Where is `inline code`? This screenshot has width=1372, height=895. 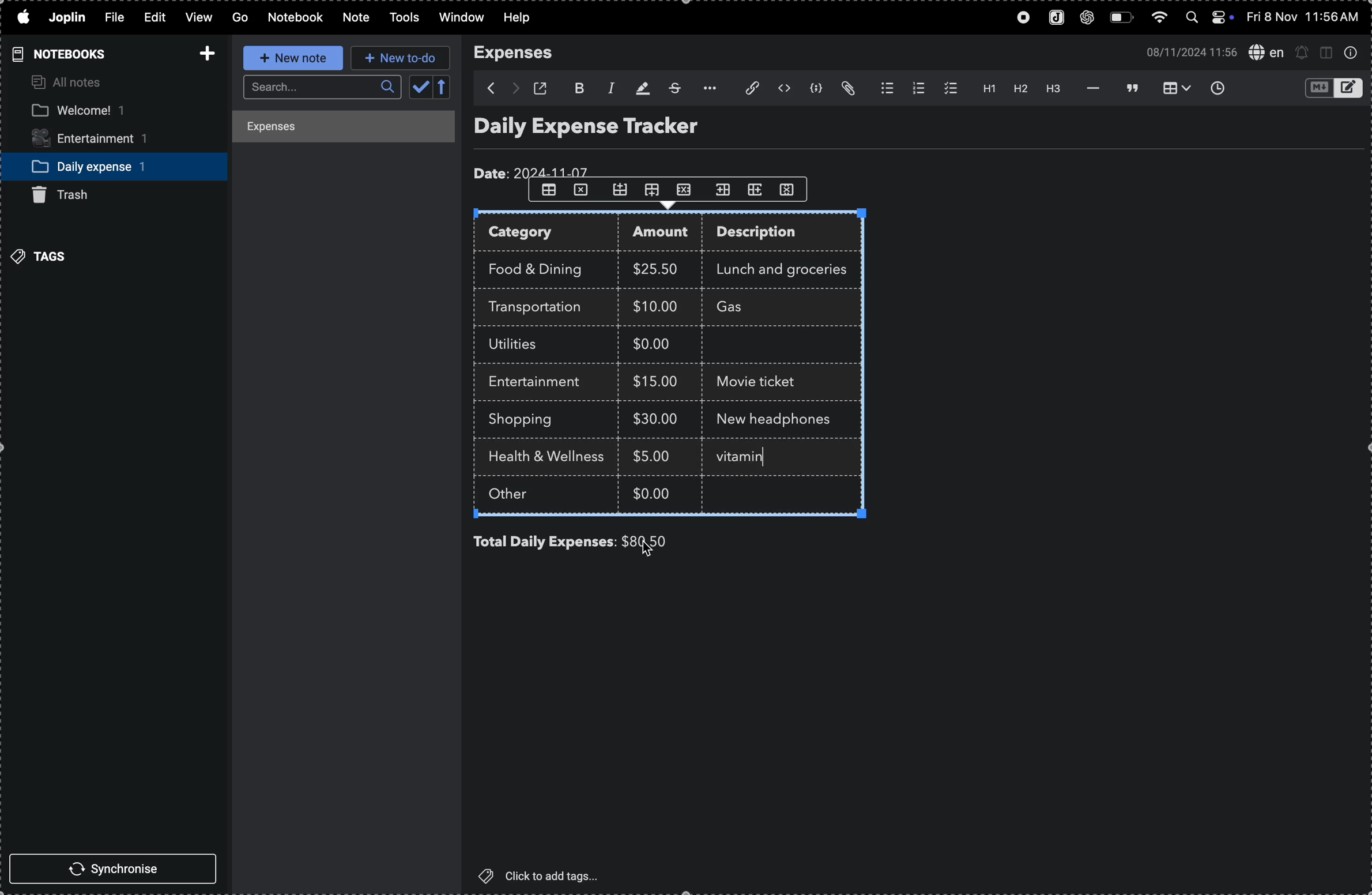 inline code is located at coordinates (783, 89).